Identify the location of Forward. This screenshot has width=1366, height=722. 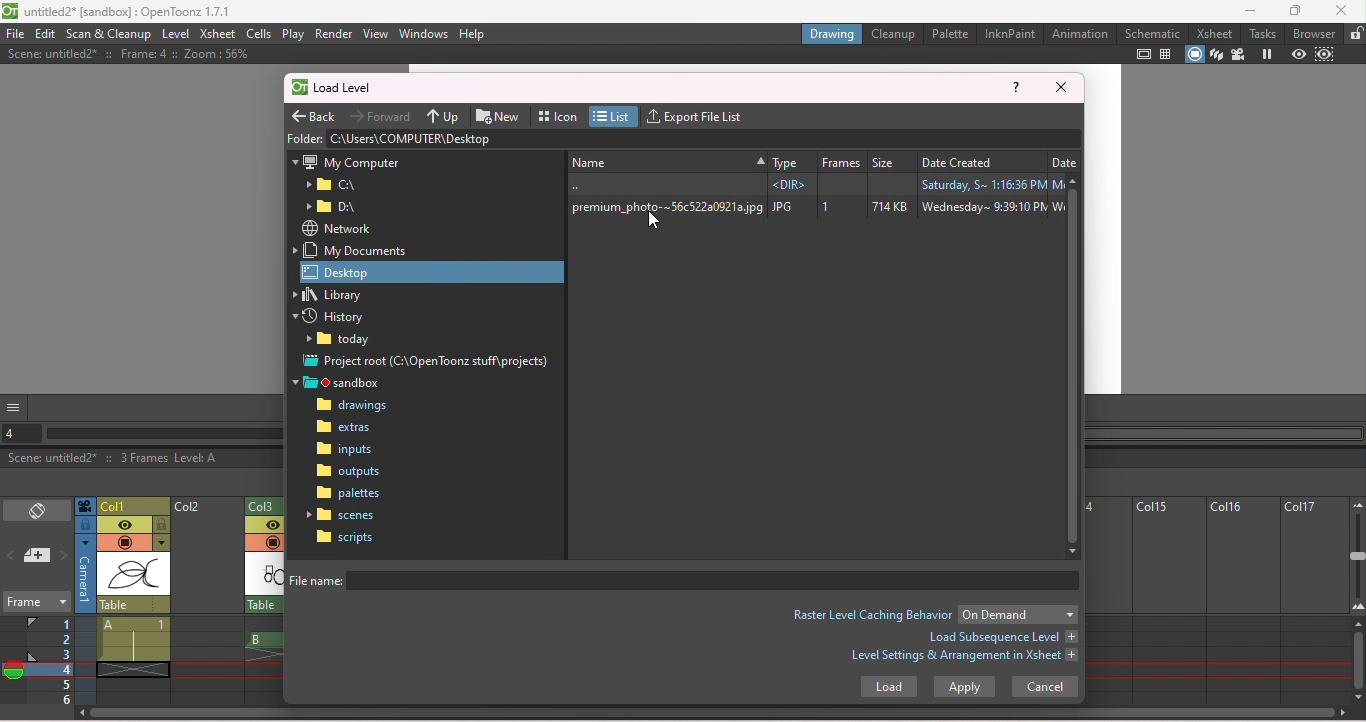
(383, 115).